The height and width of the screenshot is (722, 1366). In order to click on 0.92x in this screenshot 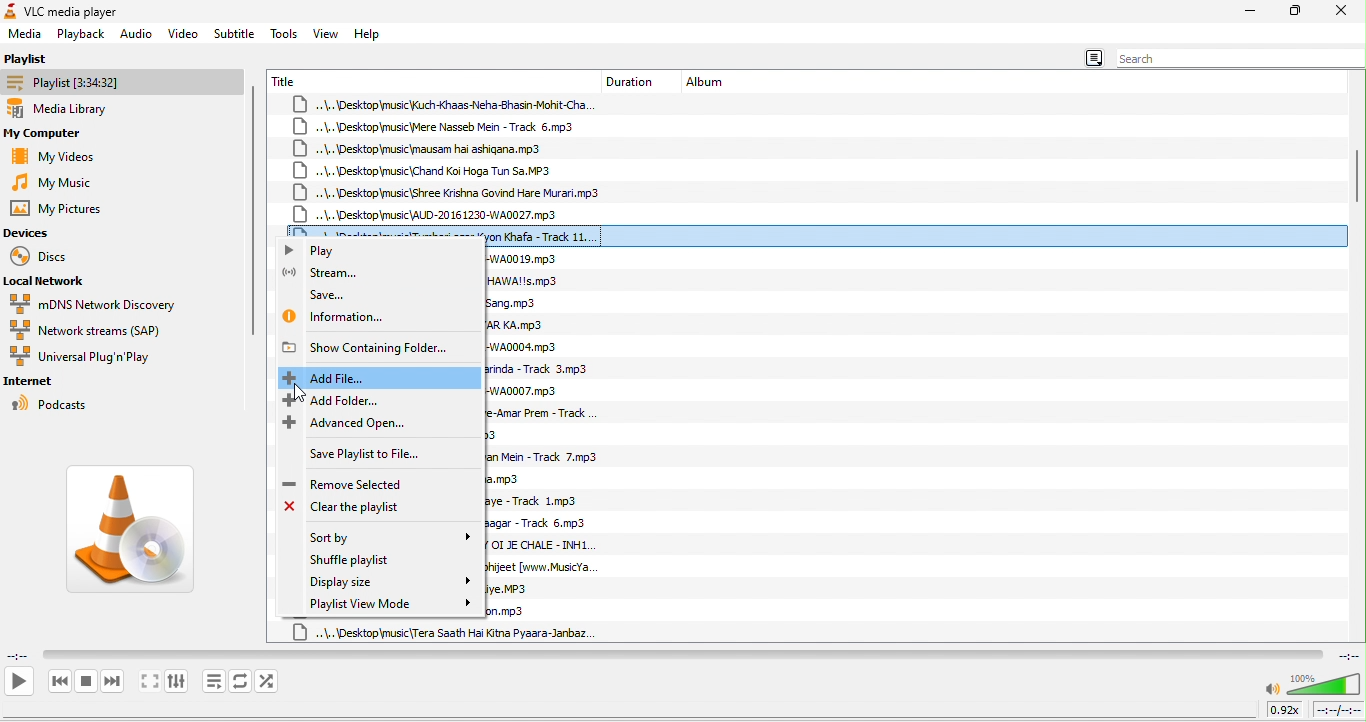, I will do `click(1287, 709)`.